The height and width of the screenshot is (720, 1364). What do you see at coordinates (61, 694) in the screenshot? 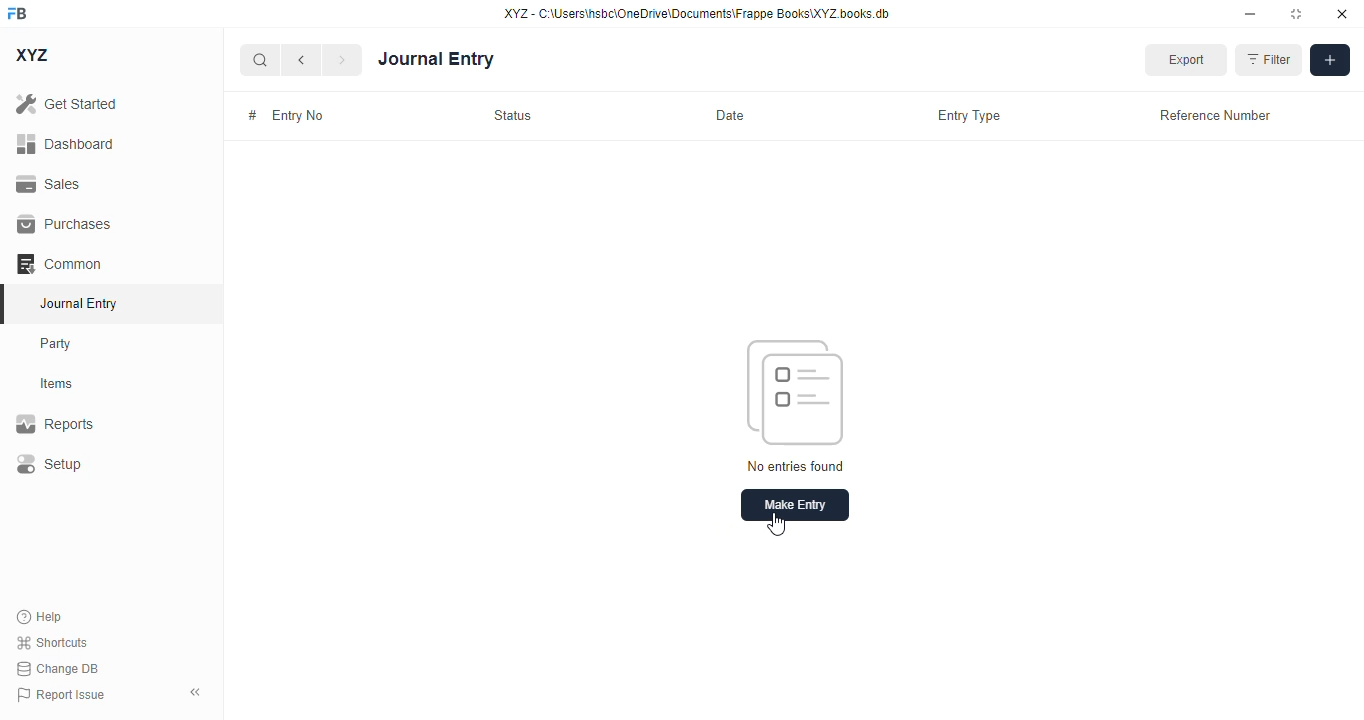
I see `report issue` at bounding box center [61, 694].